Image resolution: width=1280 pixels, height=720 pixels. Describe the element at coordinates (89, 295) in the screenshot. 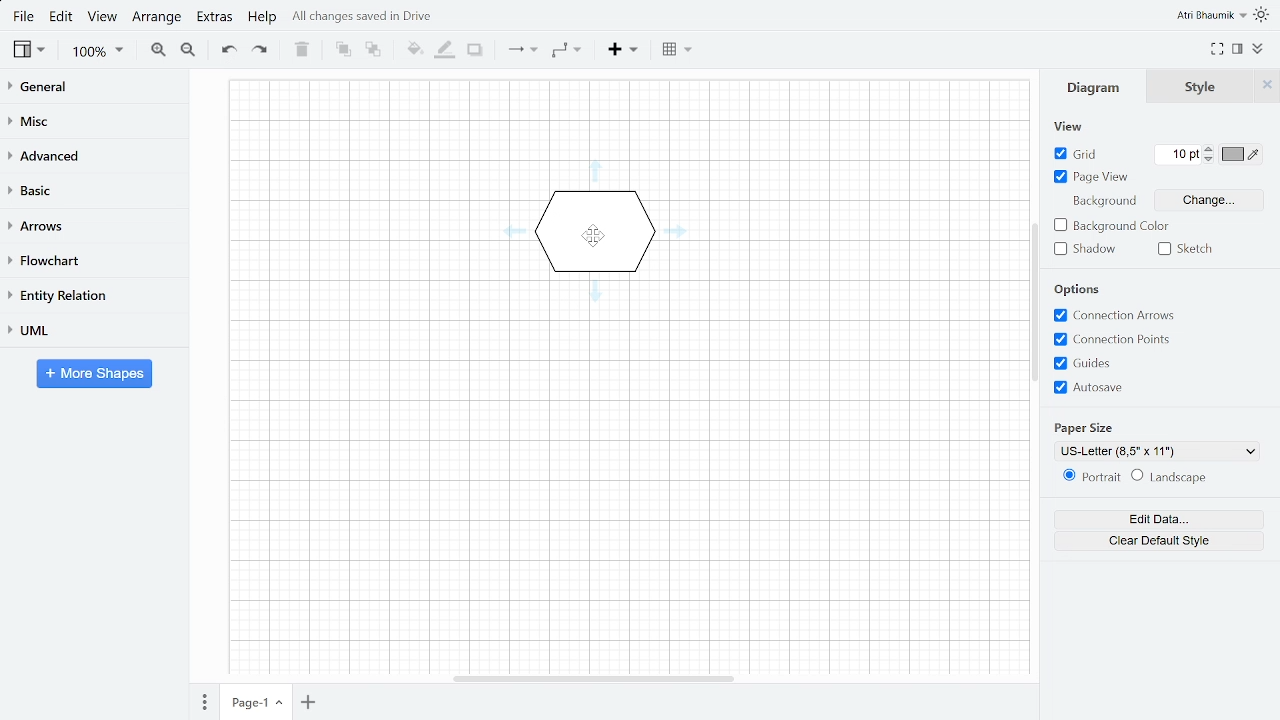

I see ` Entity relation` at that location.